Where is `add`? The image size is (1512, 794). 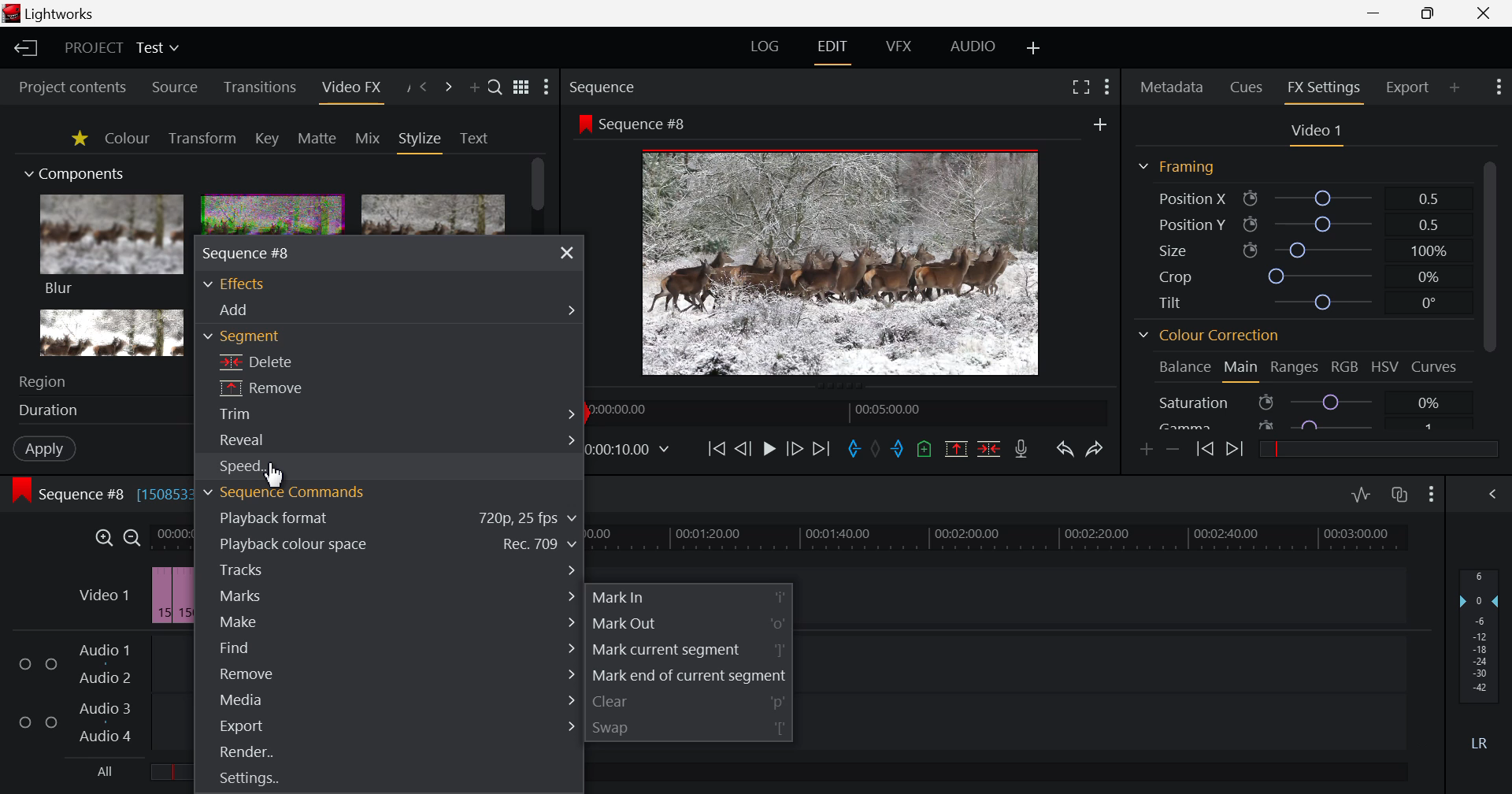
add is located at coordinates (1099, 124).